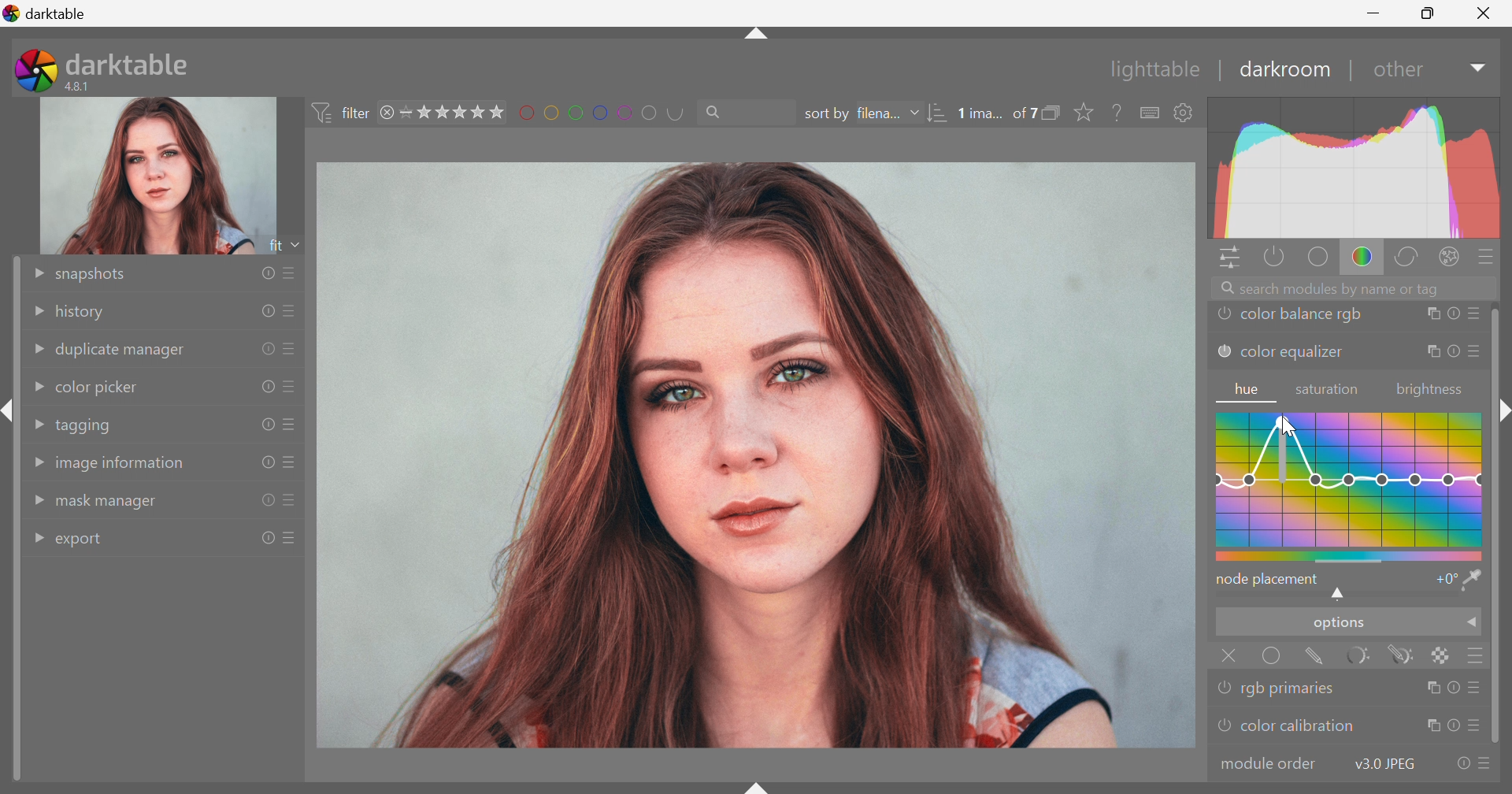 The image size is (1512, 794). I want to click on reset, so click(269, 274).